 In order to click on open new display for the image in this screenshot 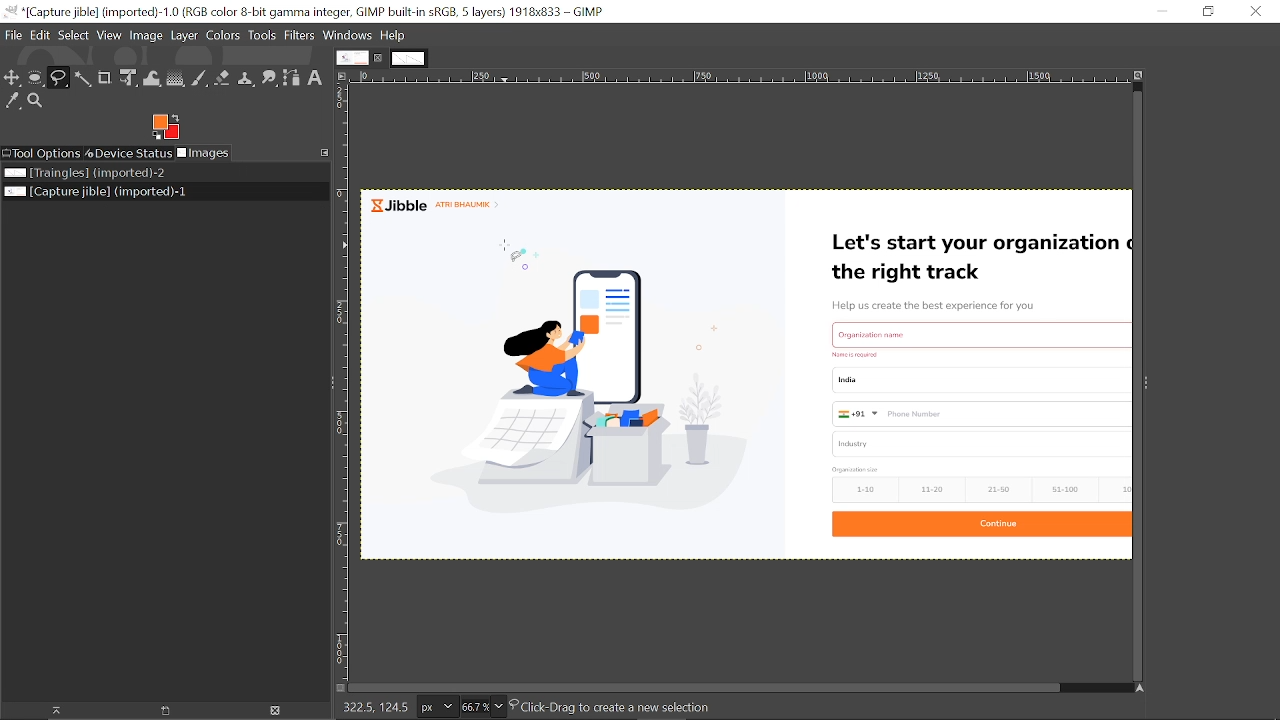, I will do `click(160, 711)`.